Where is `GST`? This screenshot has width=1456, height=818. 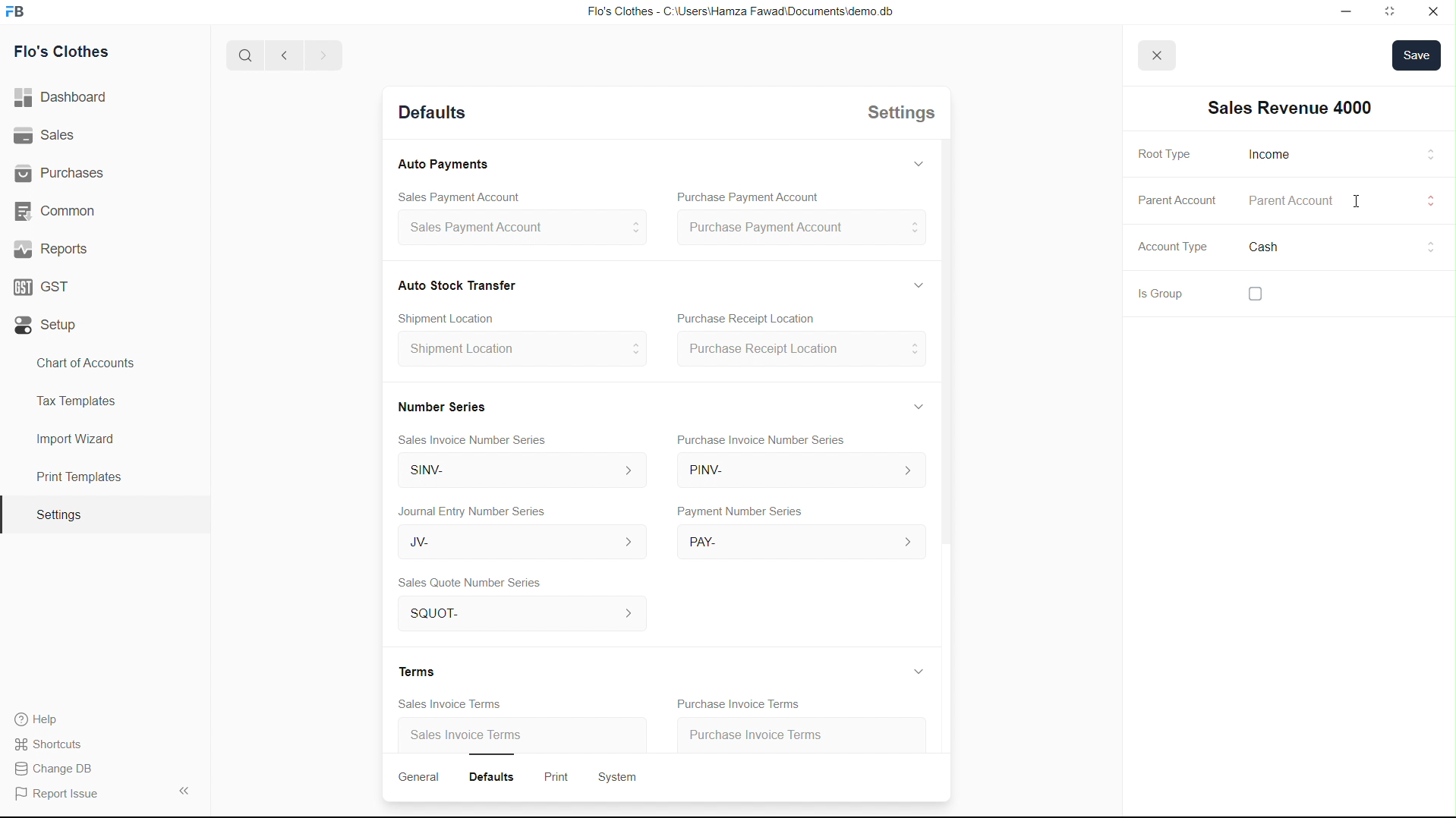
GST is located at coordinates (47, 283).